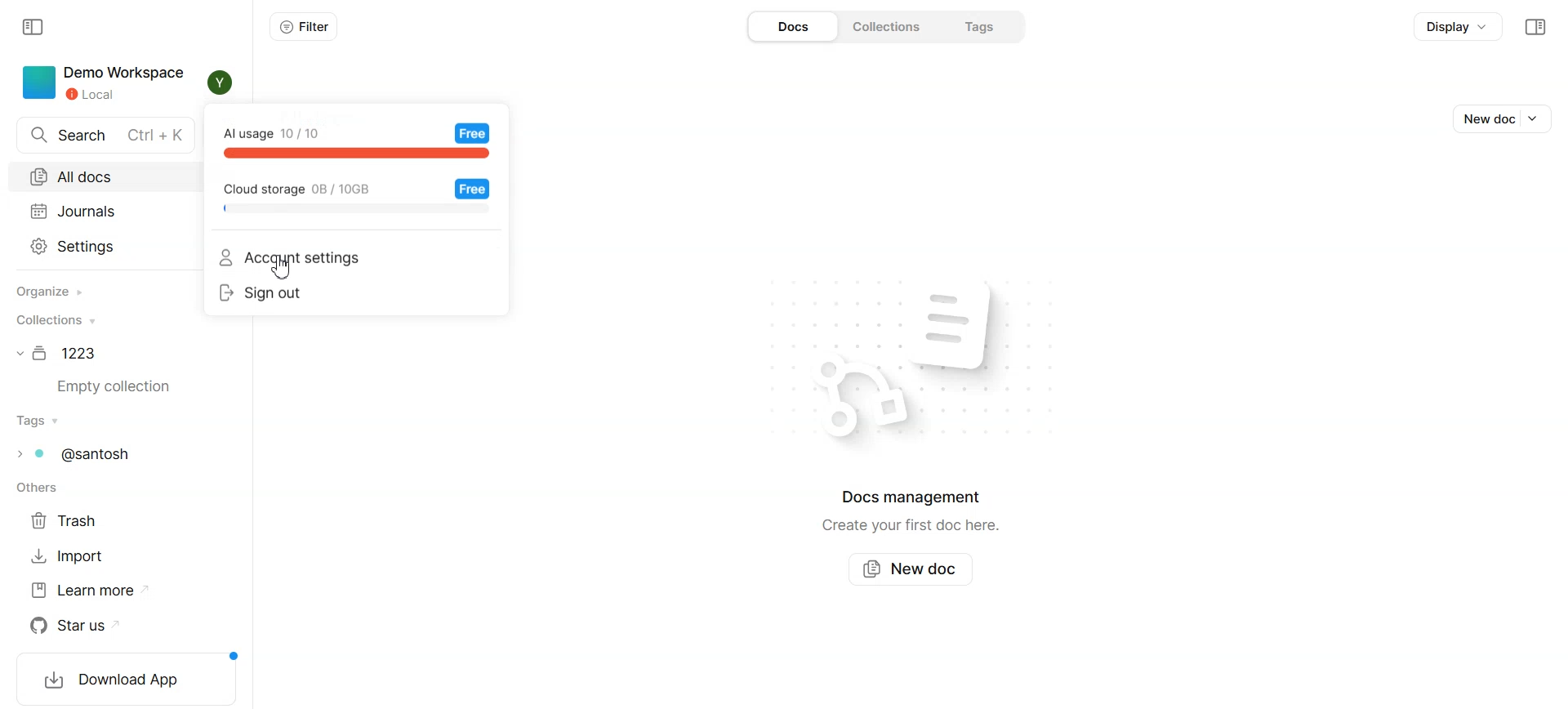 This screenshot has height=709, width=1568. I want to click on Journals, so click(110, 211).